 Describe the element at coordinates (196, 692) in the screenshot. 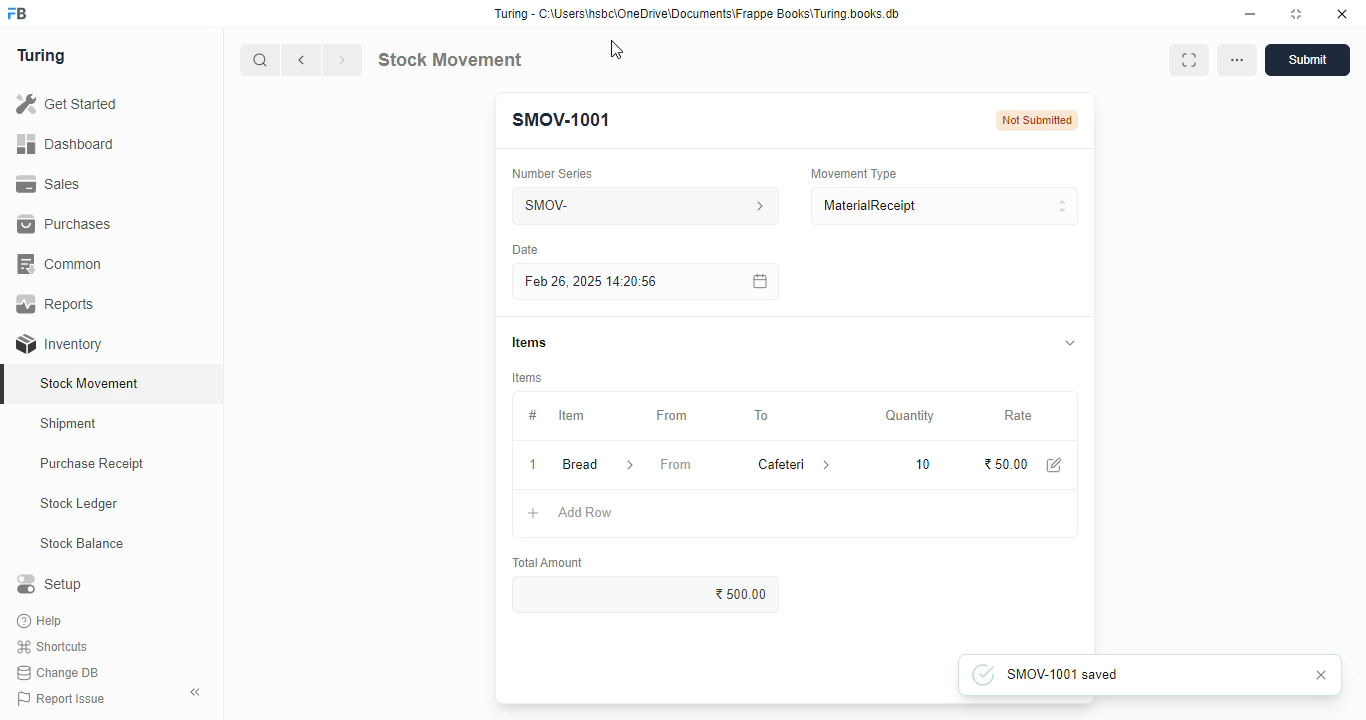

I see `toggle sidebar` at that location.